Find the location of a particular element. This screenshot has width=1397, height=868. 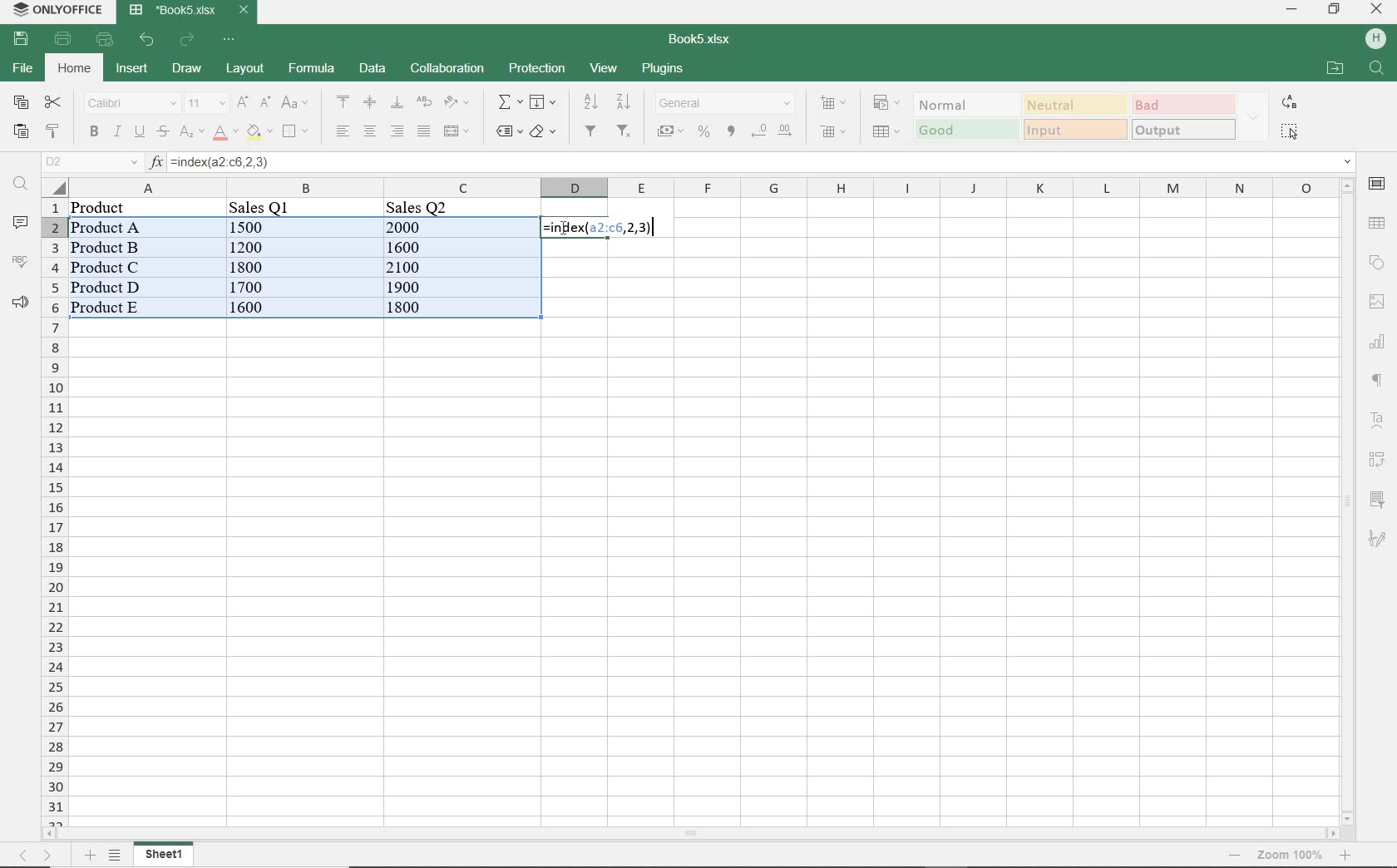

hp is located at coordinates (1377, 40).